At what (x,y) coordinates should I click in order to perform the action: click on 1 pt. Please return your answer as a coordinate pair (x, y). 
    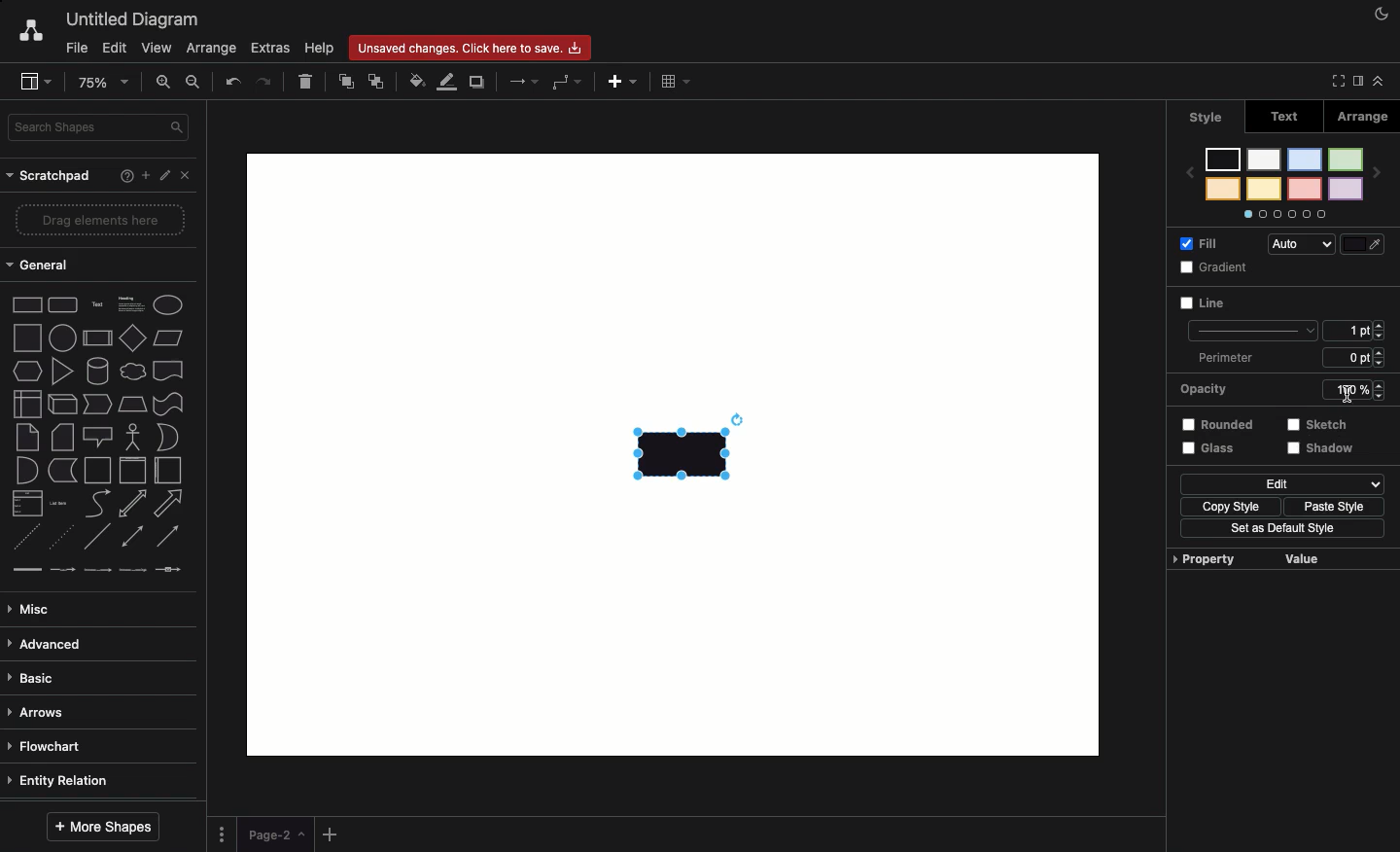
    Looking at the image, I should click on (1351, 333).